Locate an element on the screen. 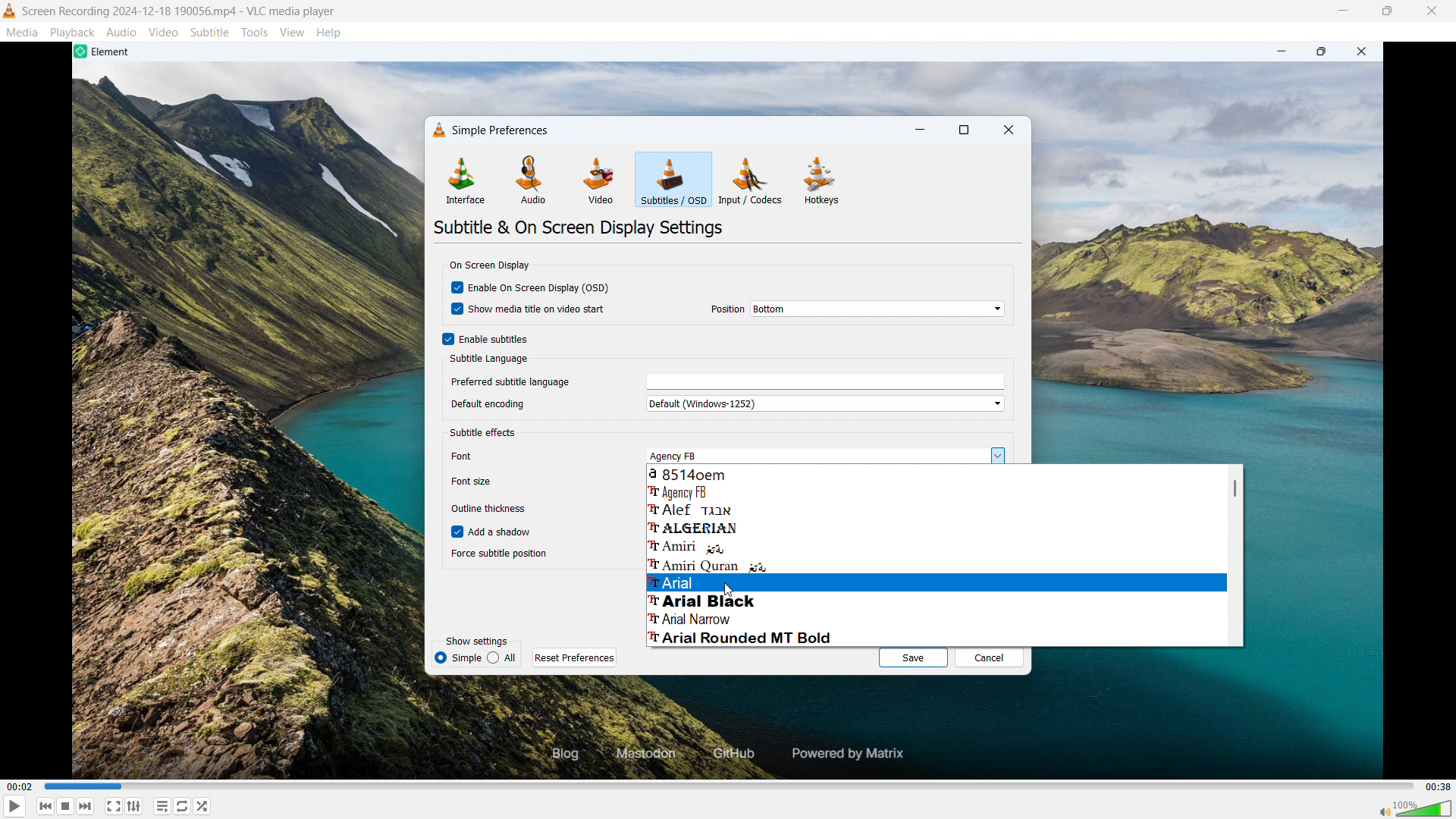 The width and height of the screenshot is (1456, 819). logo is located at coordinates (10, 11).